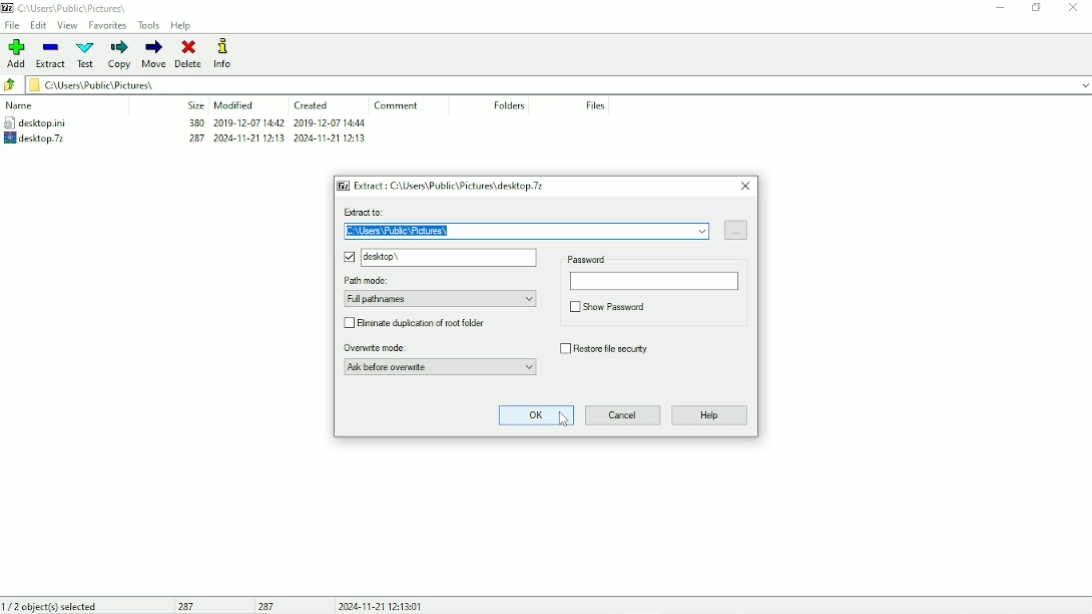 The image size is (1092, 614). Describe the element at coordinates (615, 347) in the screenshot. I see `Restore file security` at that location.